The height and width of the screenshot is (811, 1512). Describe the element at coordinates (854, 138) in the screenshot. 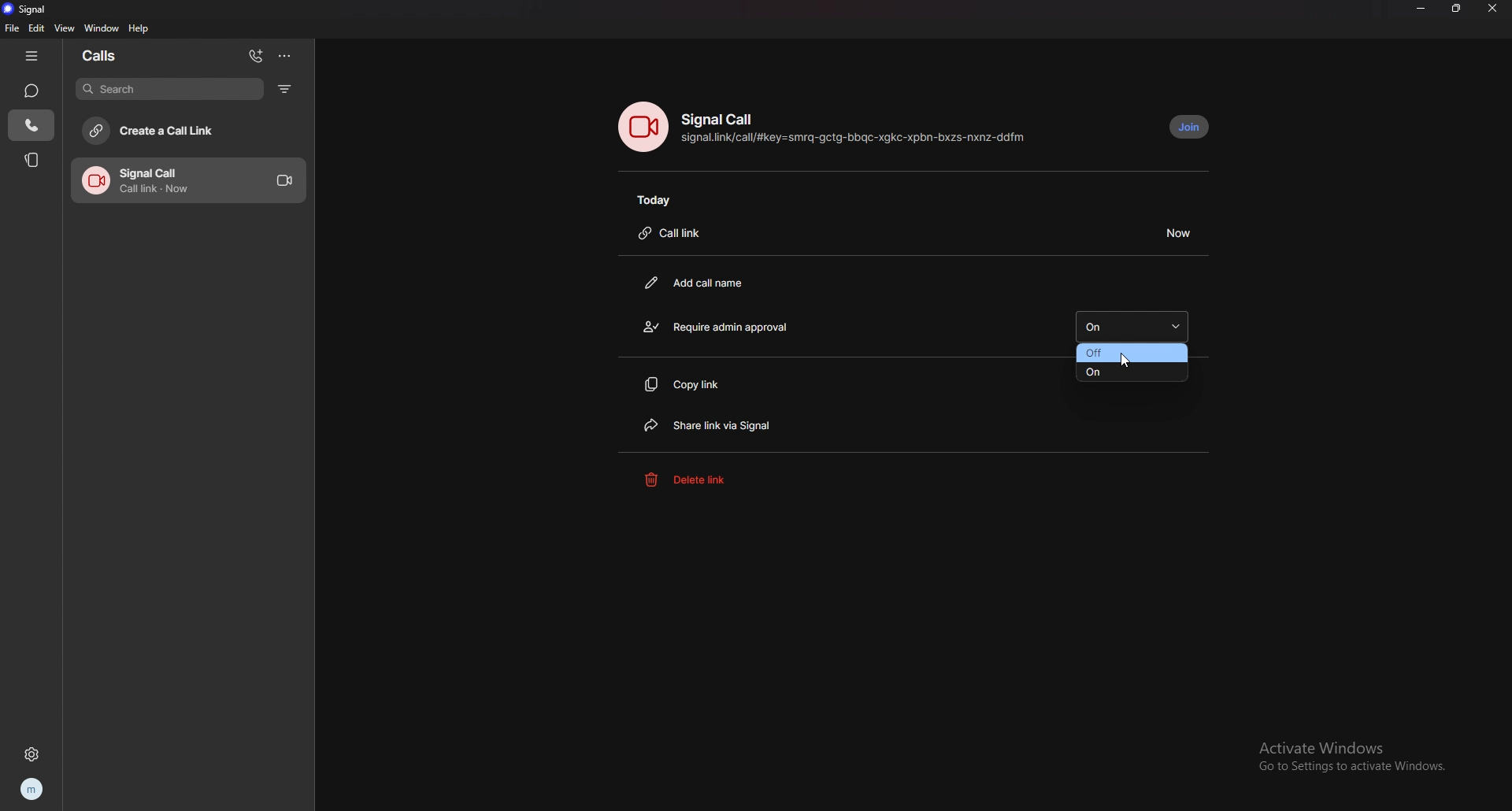

I see `call link` at that location.